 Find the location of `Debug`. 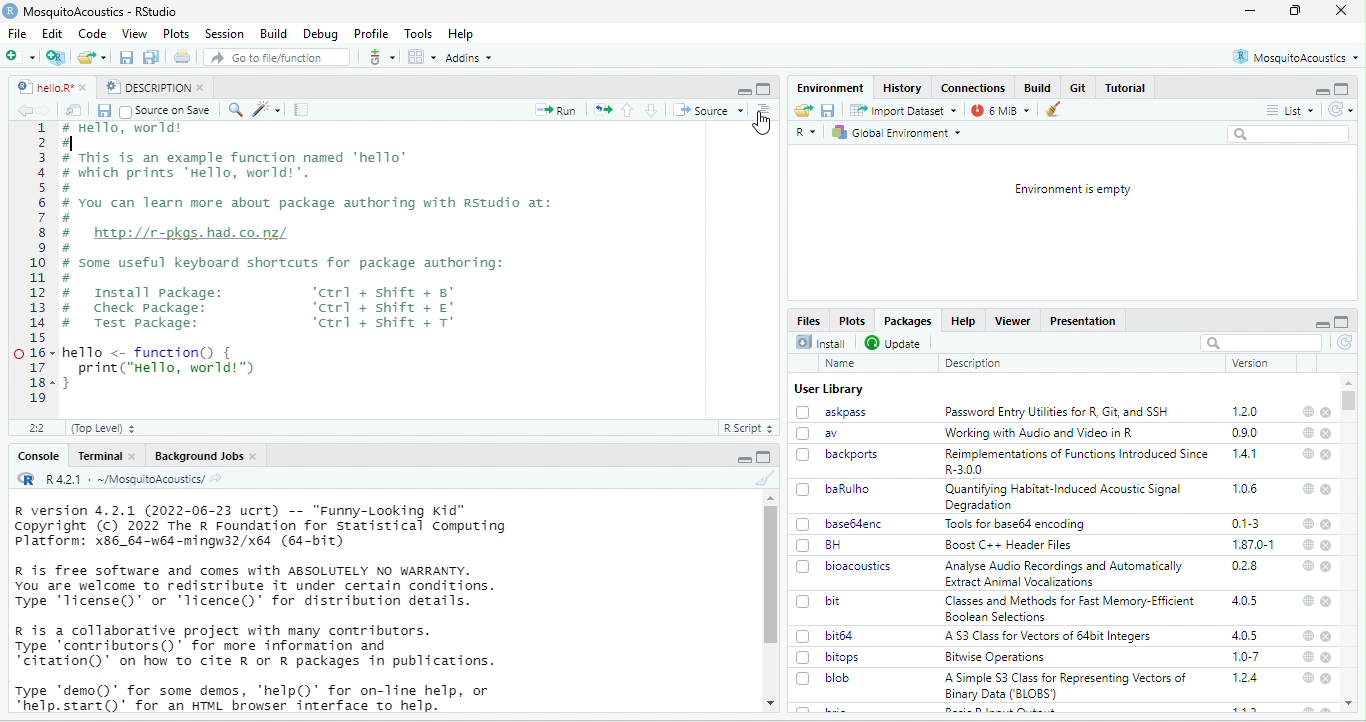

Debug is located at coordinates (321, 35).